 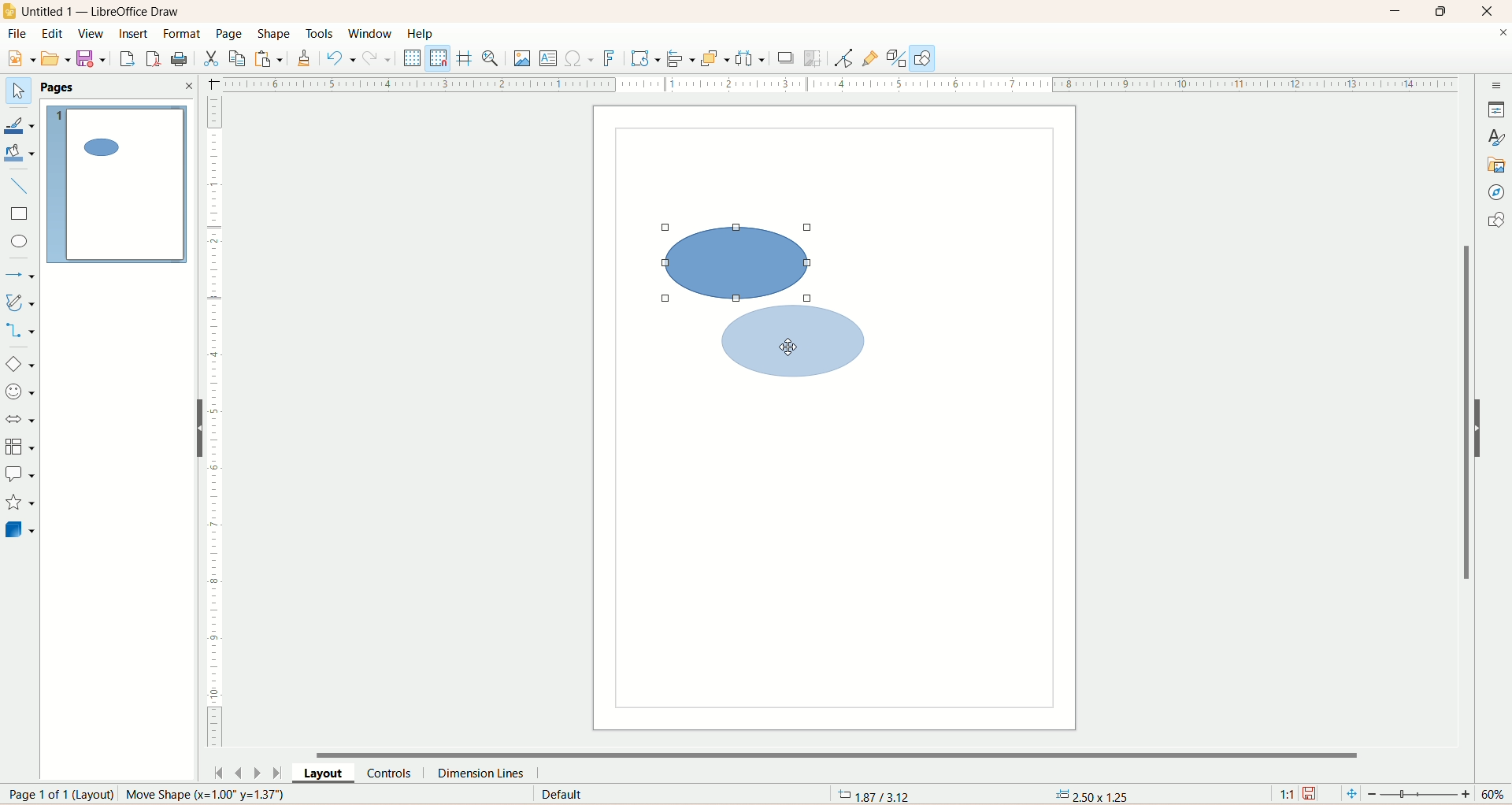 I want to click on cut, so click(x=213, y=58).